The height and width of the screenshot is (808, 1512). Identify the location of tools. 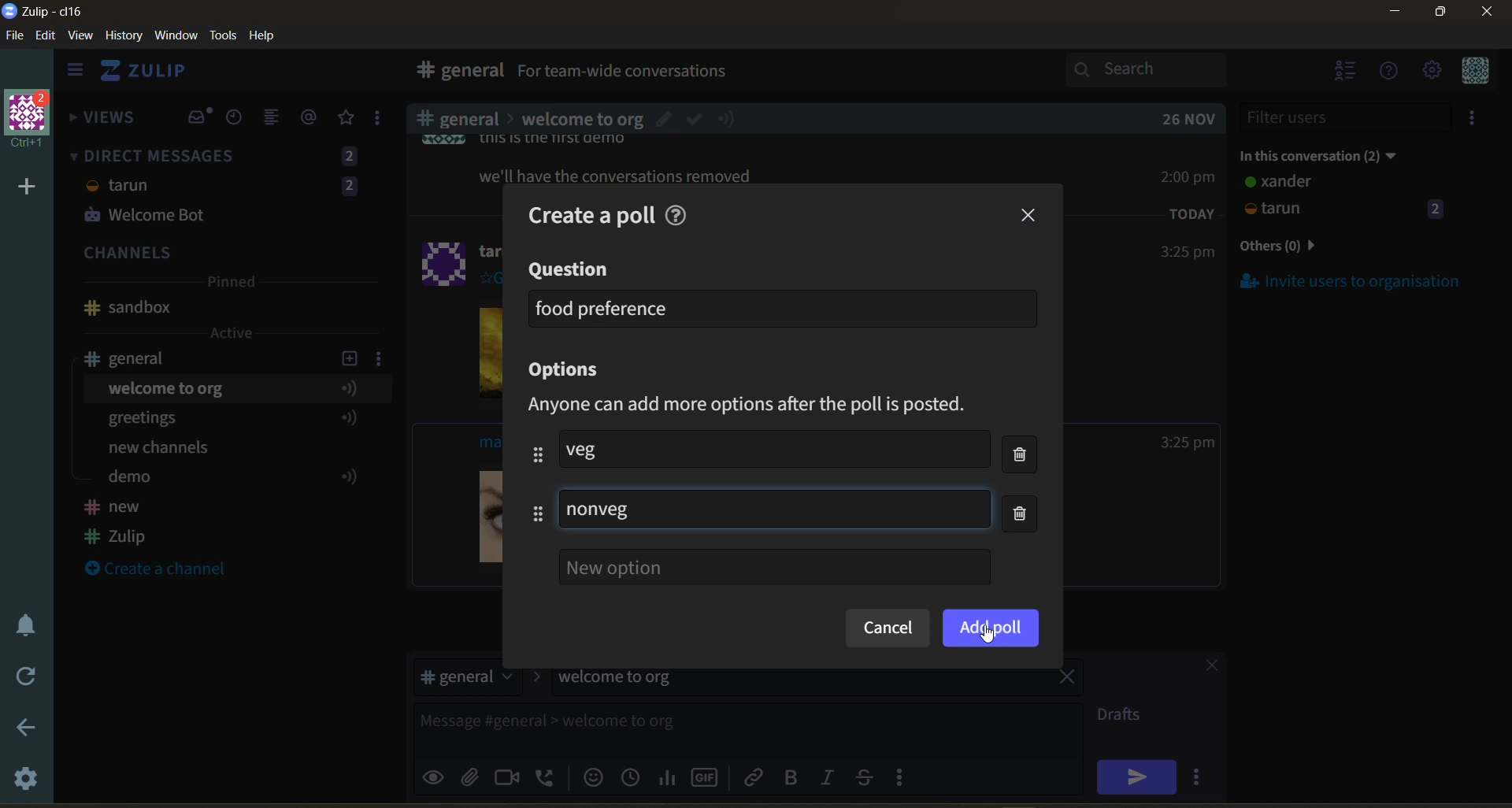
(226, 34).